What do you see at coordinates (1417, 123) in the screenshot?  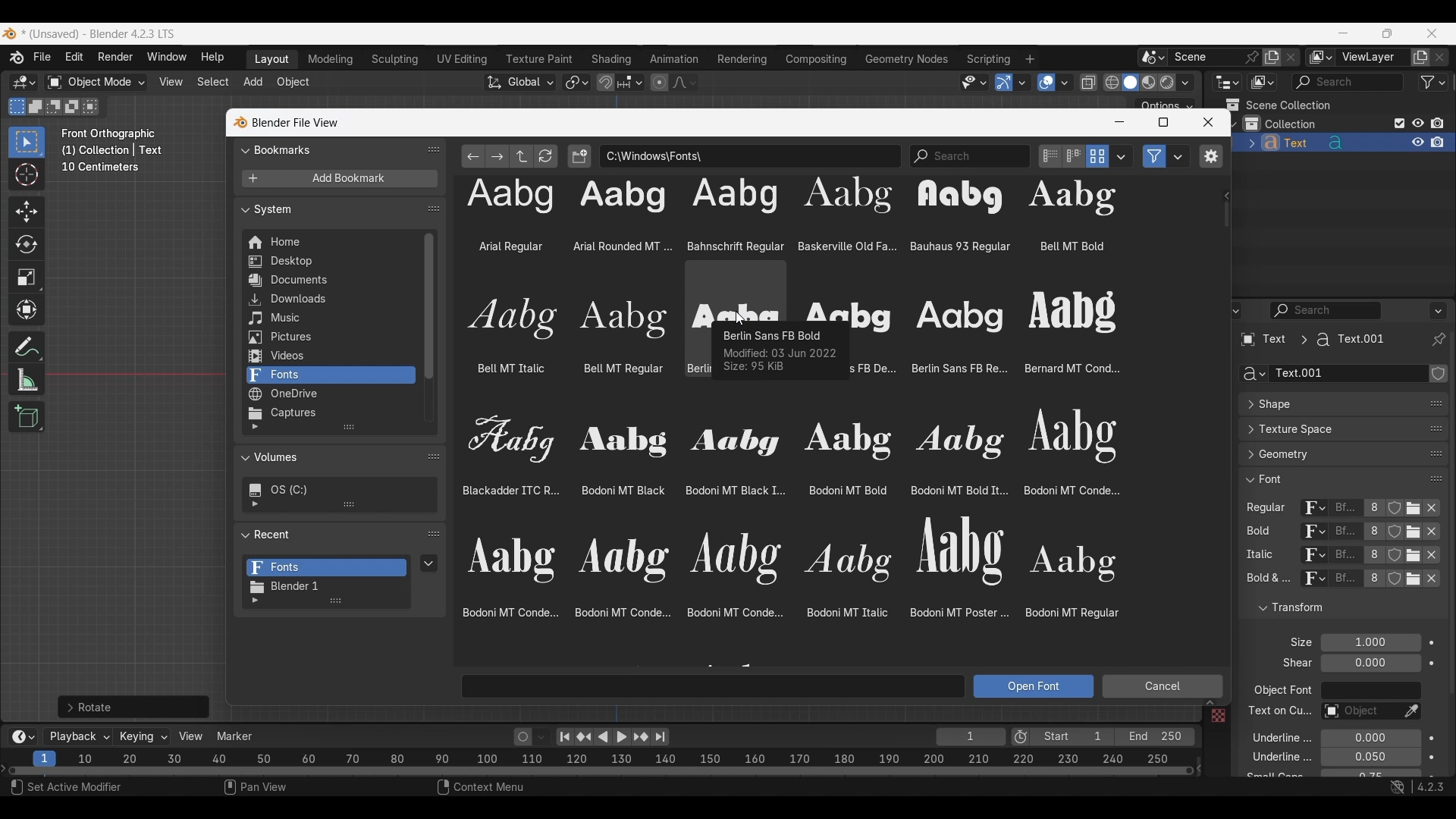 I see `Hide in viewport` at bounding box center [1417, 123].